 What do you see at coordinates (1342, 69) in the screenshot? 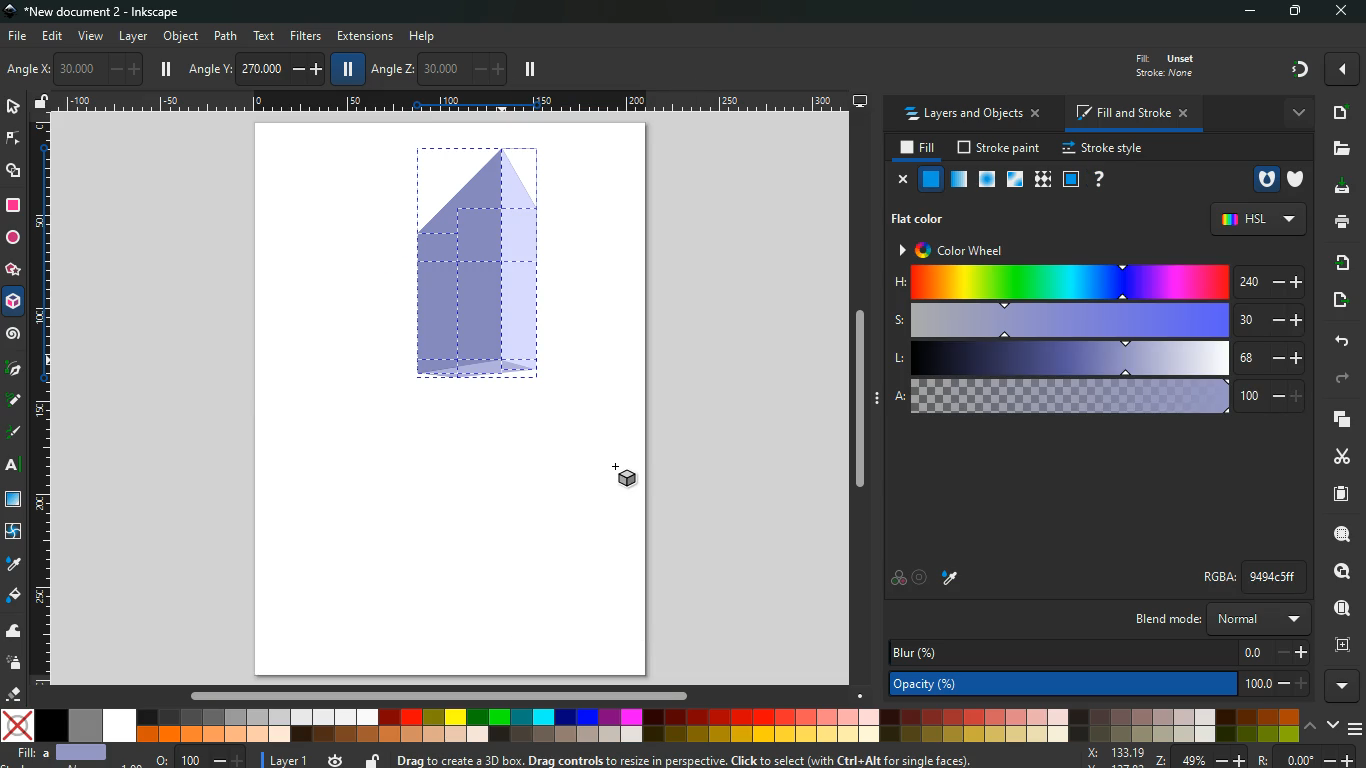
I see `more` at bounding box center [1342, 69].